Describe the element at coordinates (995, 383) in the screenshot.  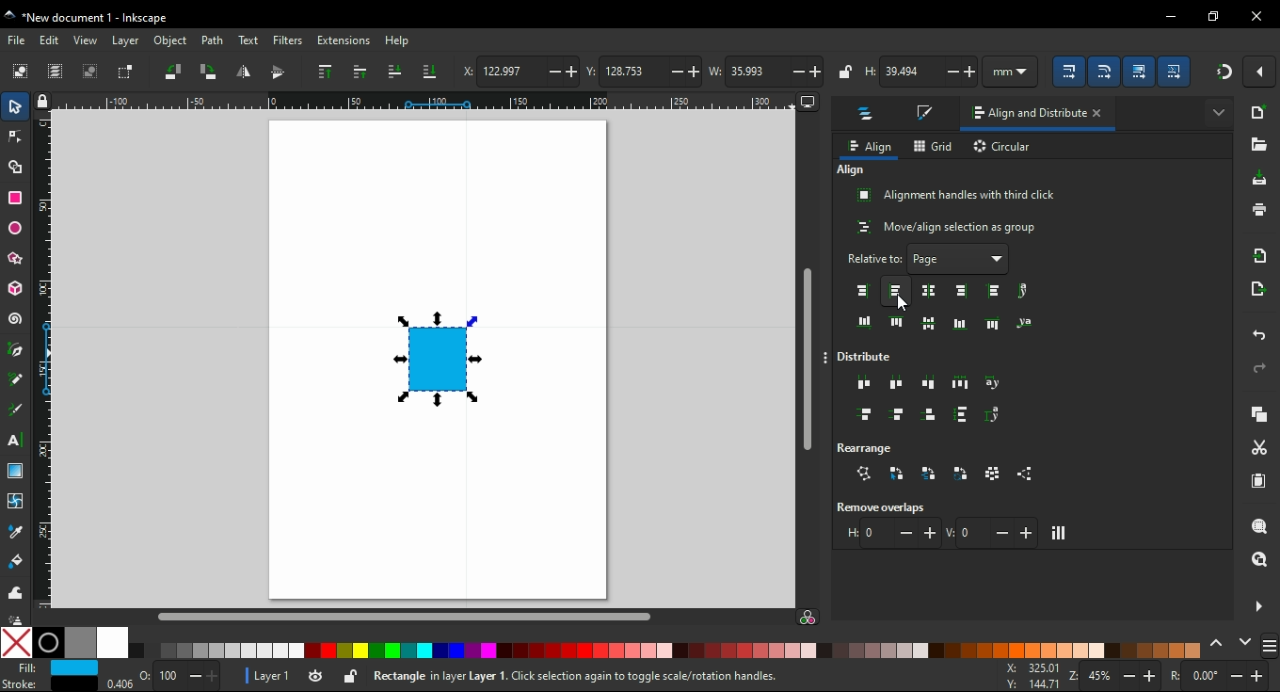
I see `distribute anchors horizontally ` at that location.